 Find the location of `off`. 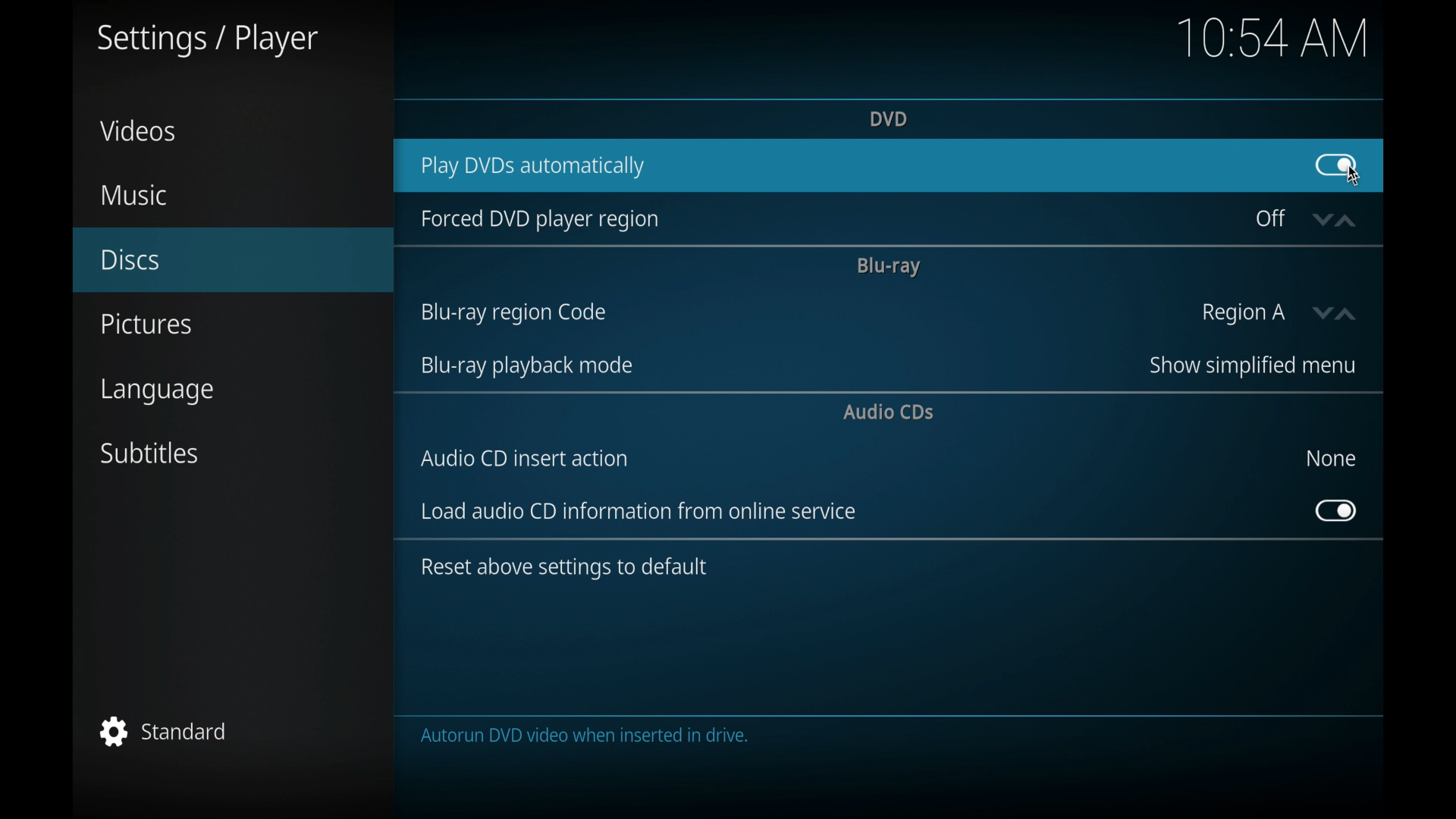

off is located at coordinates (1271, 218).